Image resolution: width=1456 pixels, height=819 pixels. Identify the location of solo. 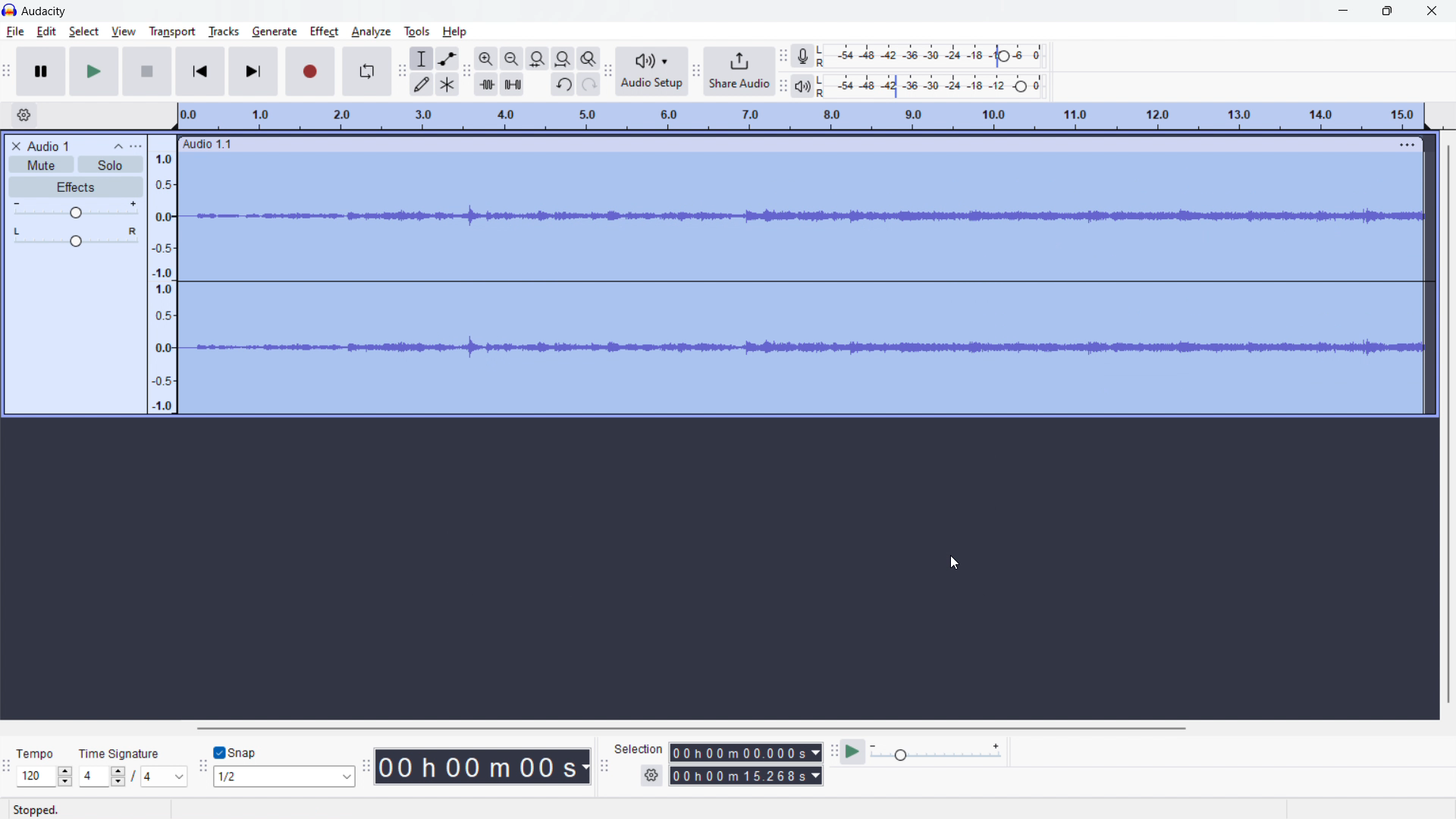
(111, 164).